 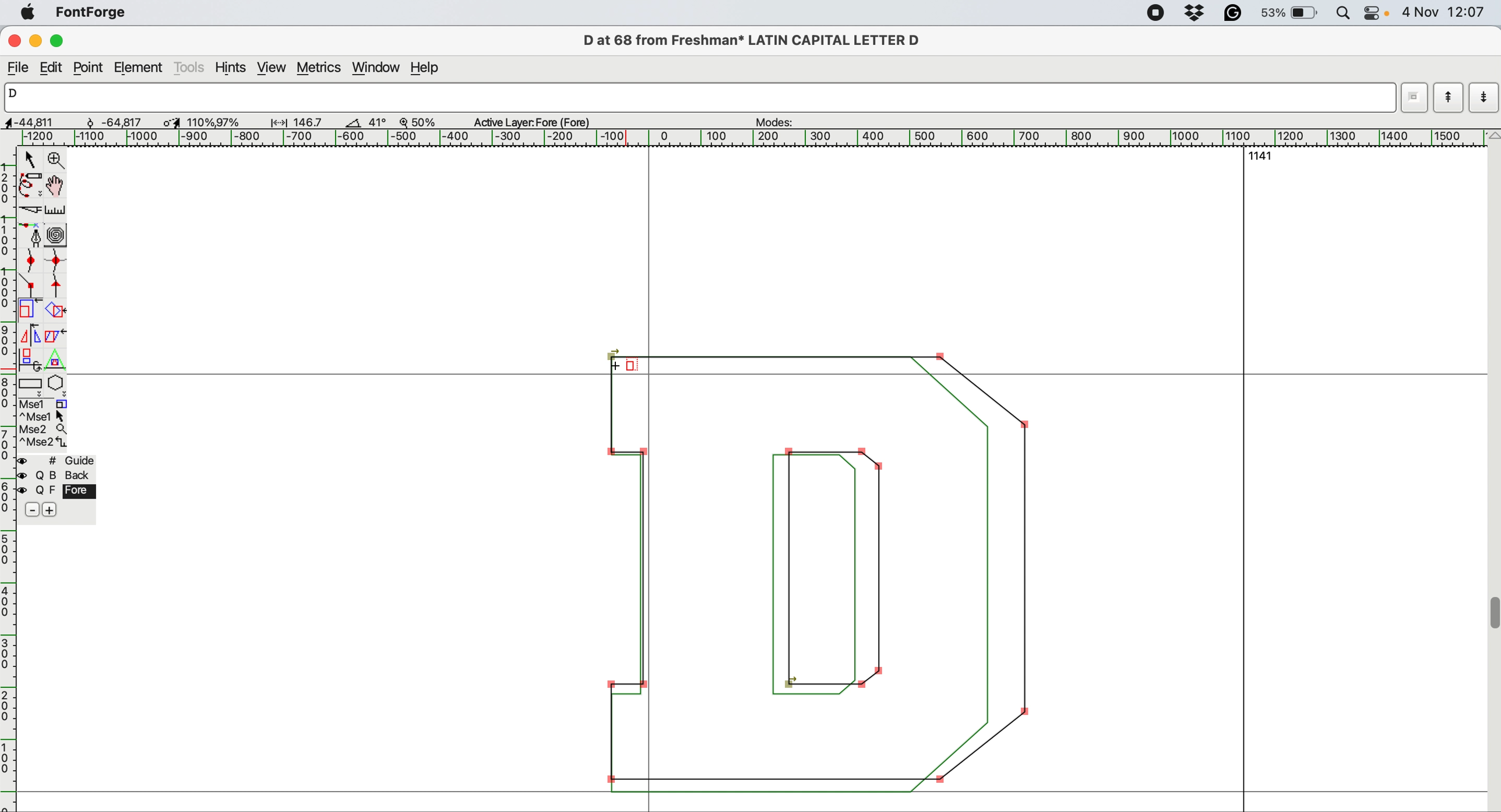 What do you see at coordinates (139, 68) in the screenshot?
I see `element` at bounding box center [139, 68].